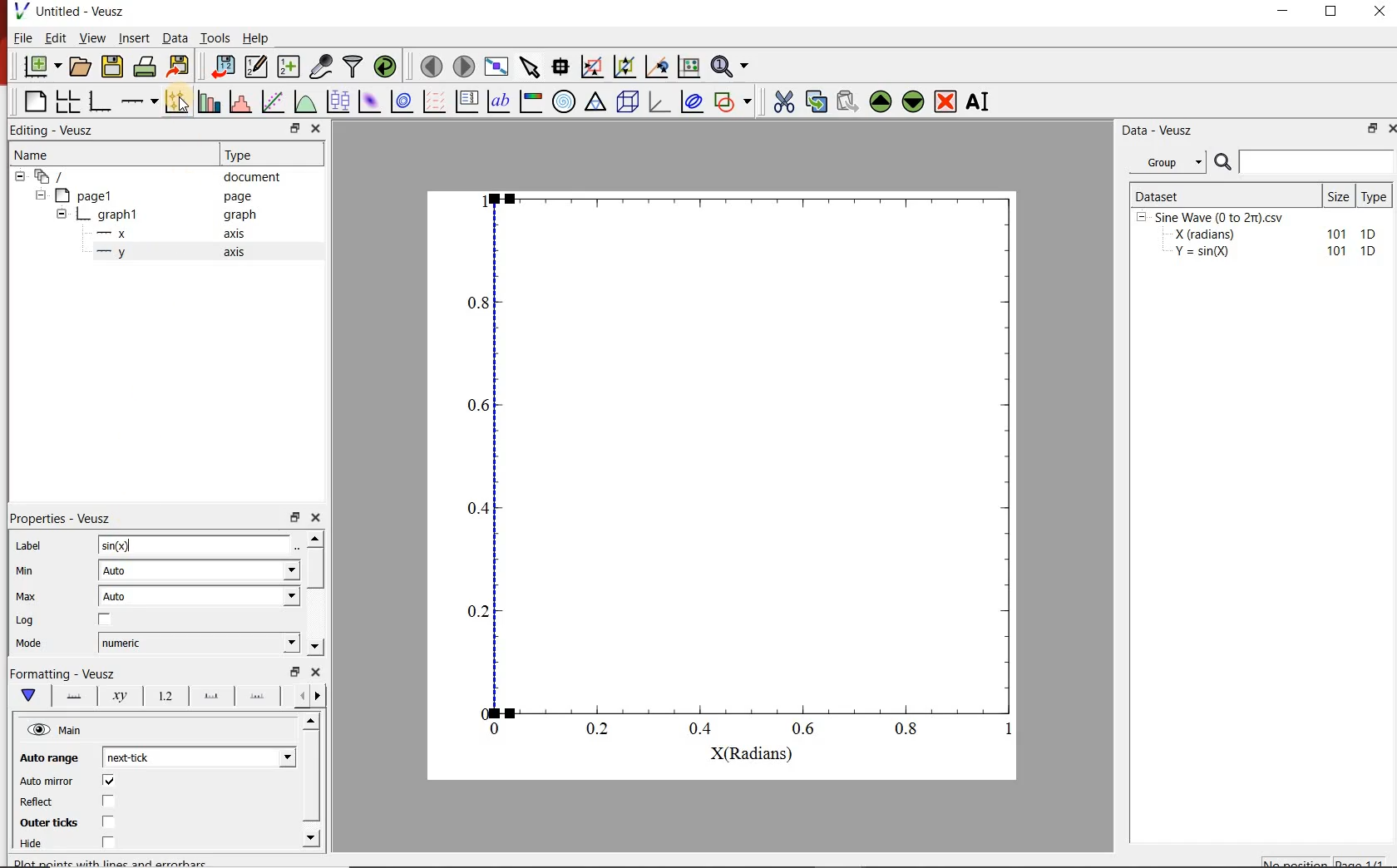 This screenshot has width=1397, height=868. What do you see at coordinates (62, 518) in the screenshot?
I see `Properties - Veusz` at bounding box center [62, 518].